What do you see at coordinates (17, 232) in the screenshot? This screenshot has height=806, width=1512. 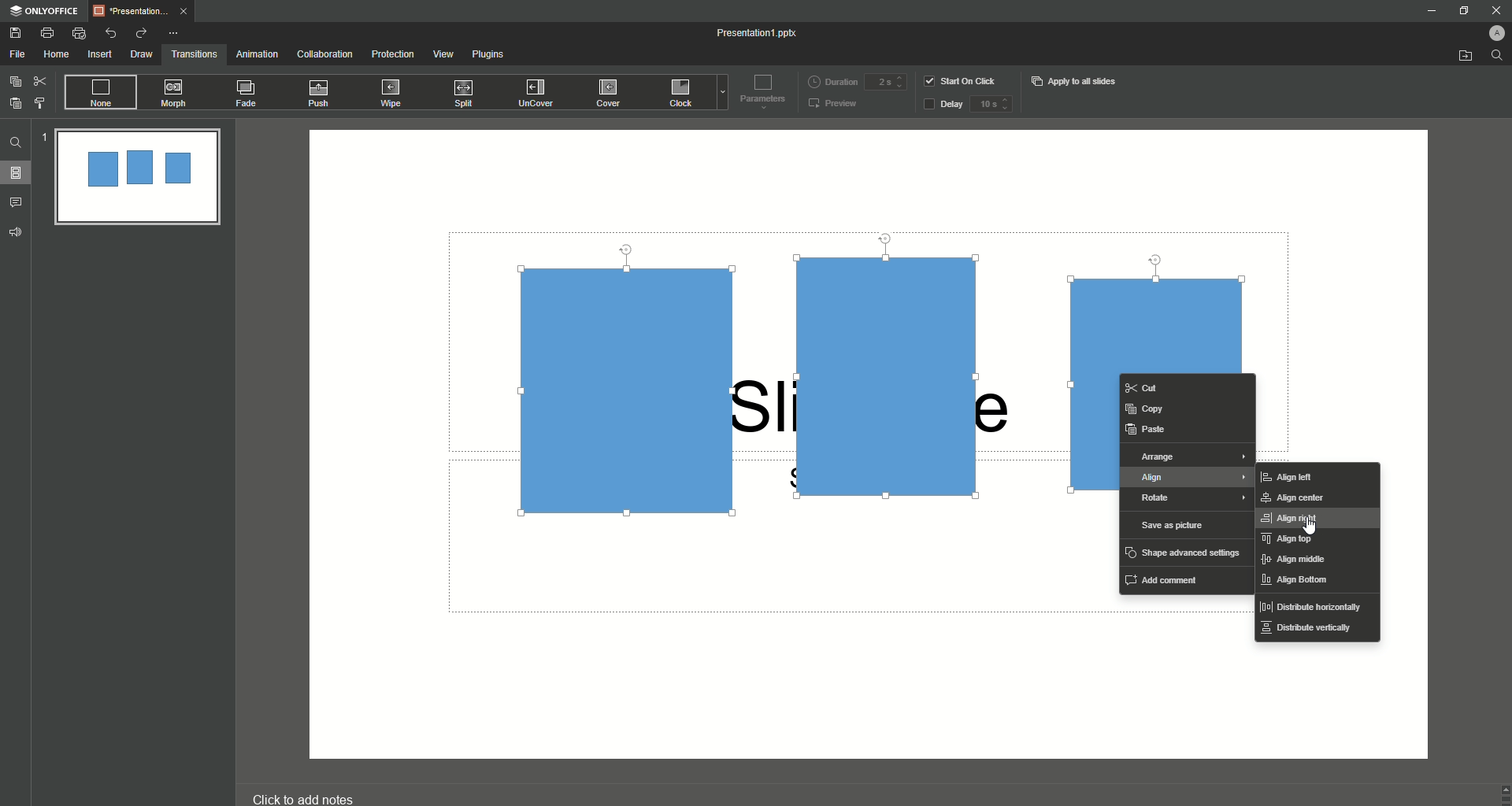 I see `Feedback` at bounding box center [17, 232].